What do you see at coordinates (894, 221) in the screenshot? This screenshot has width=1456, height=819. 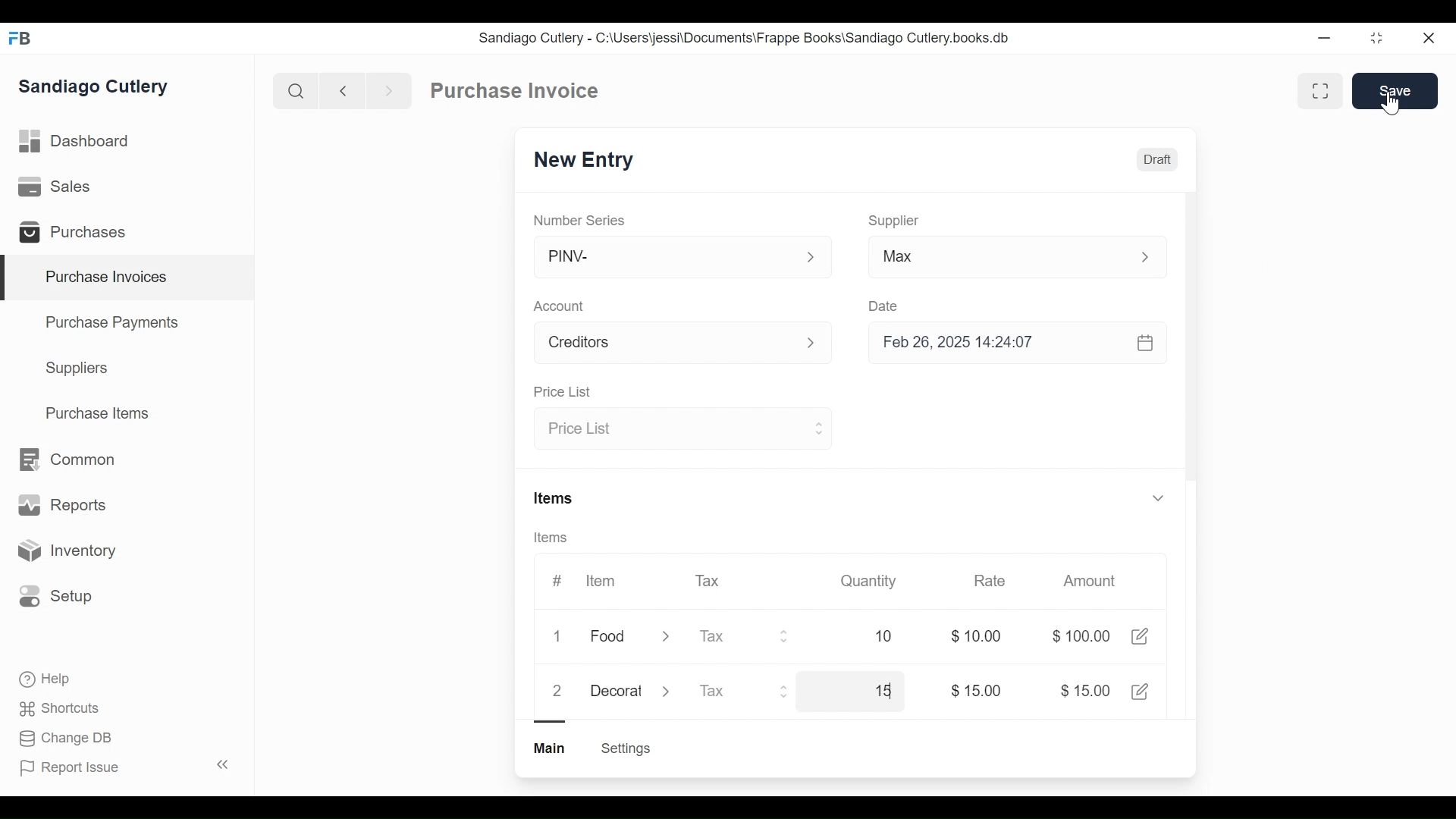 I see `Supplier` at bounding box center [894, 221].